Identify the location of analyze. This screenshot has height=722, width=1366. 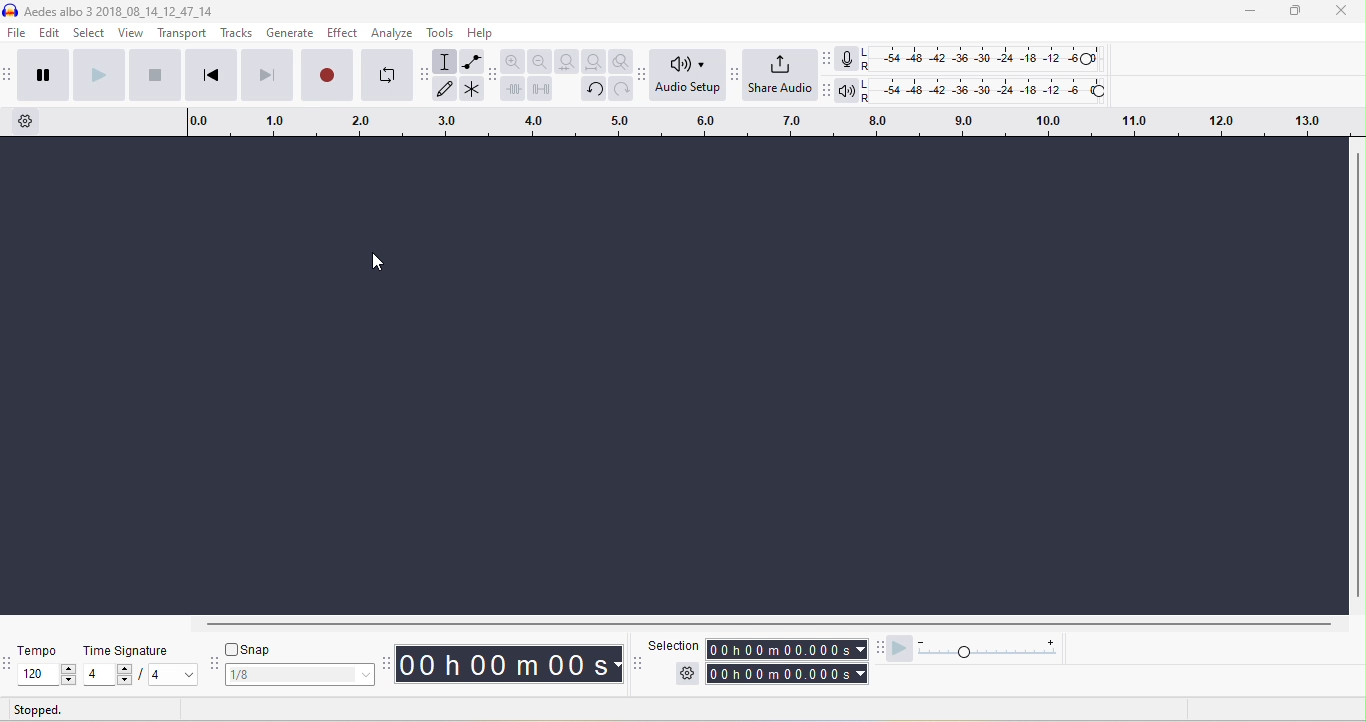
(392, 32).